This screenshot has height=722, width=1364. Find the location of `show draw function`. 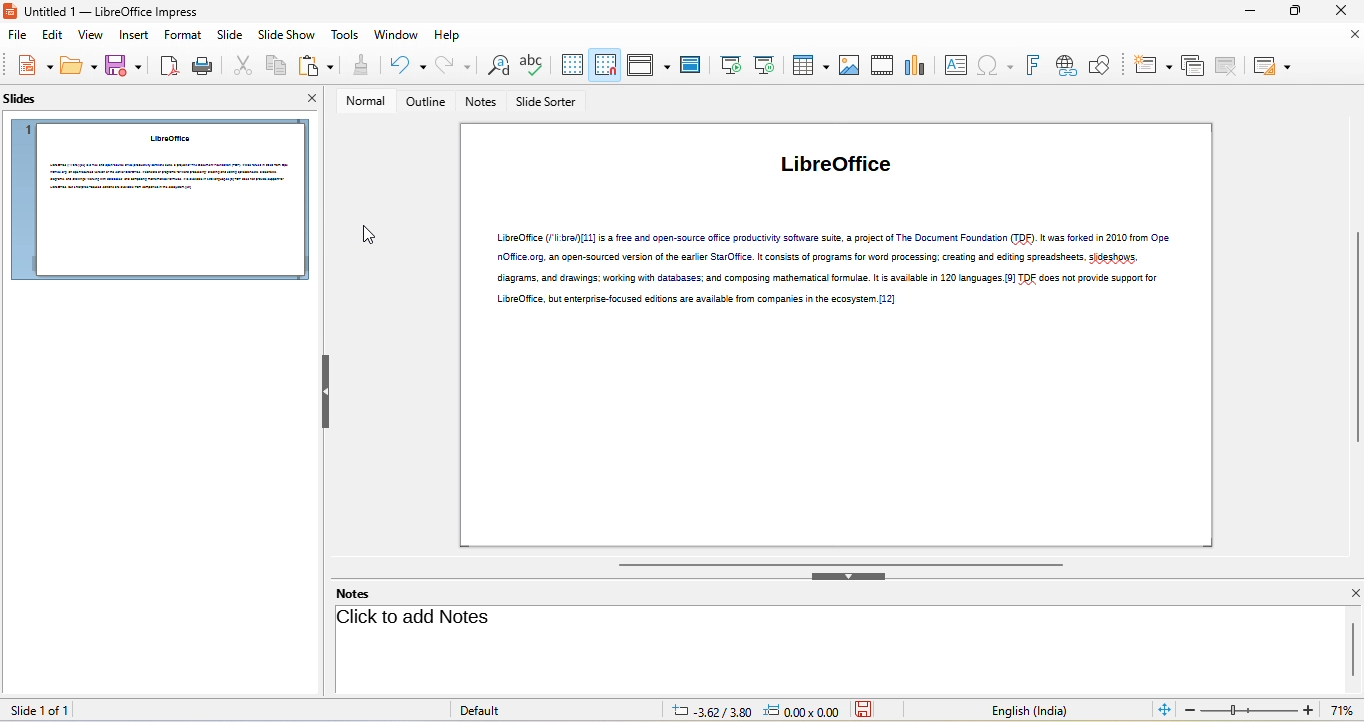

show draw function is located at coordinates (1101, 65).